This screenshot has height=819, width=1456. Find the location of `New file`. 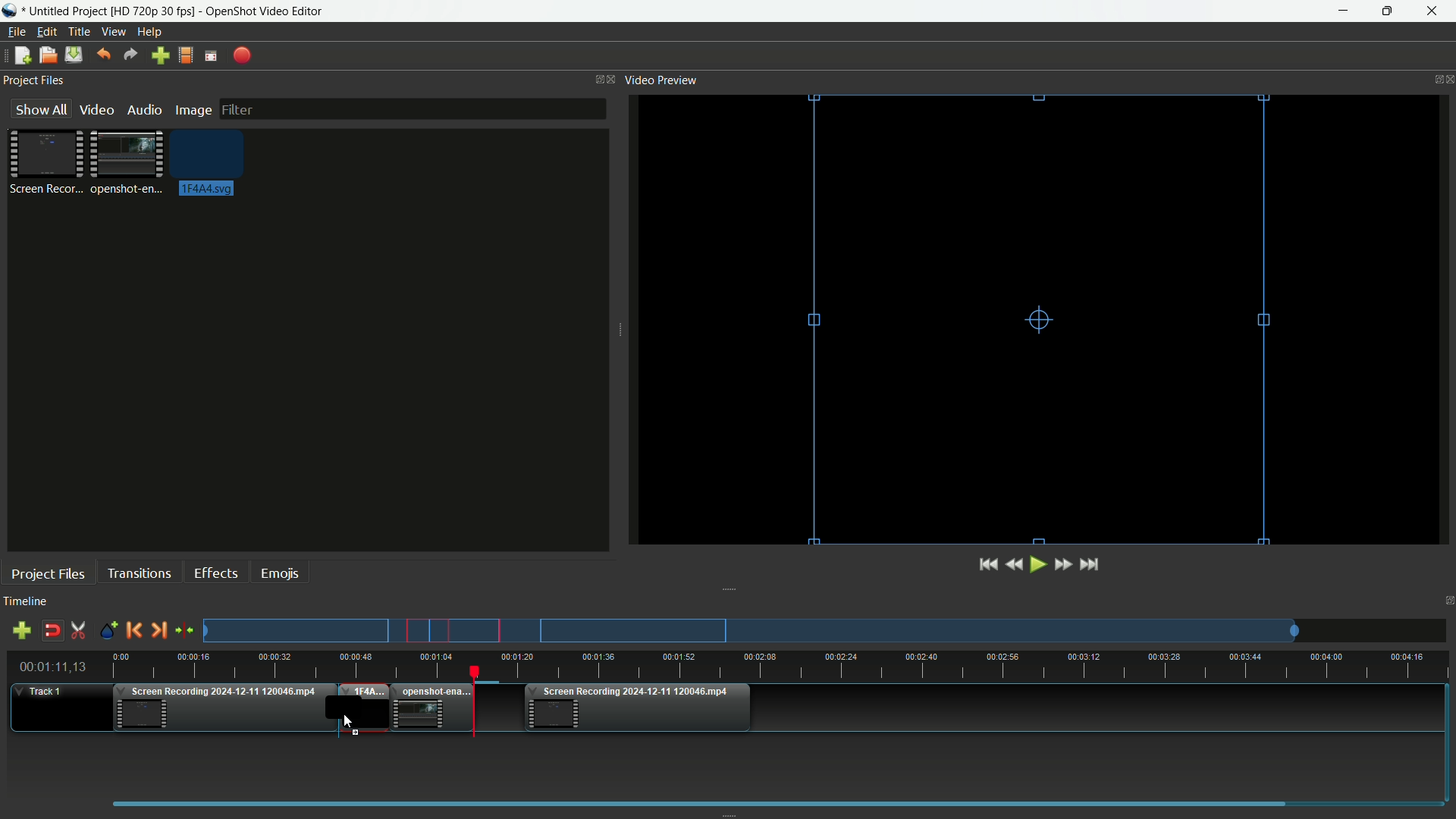

New file is located at coordinates (19, 57).